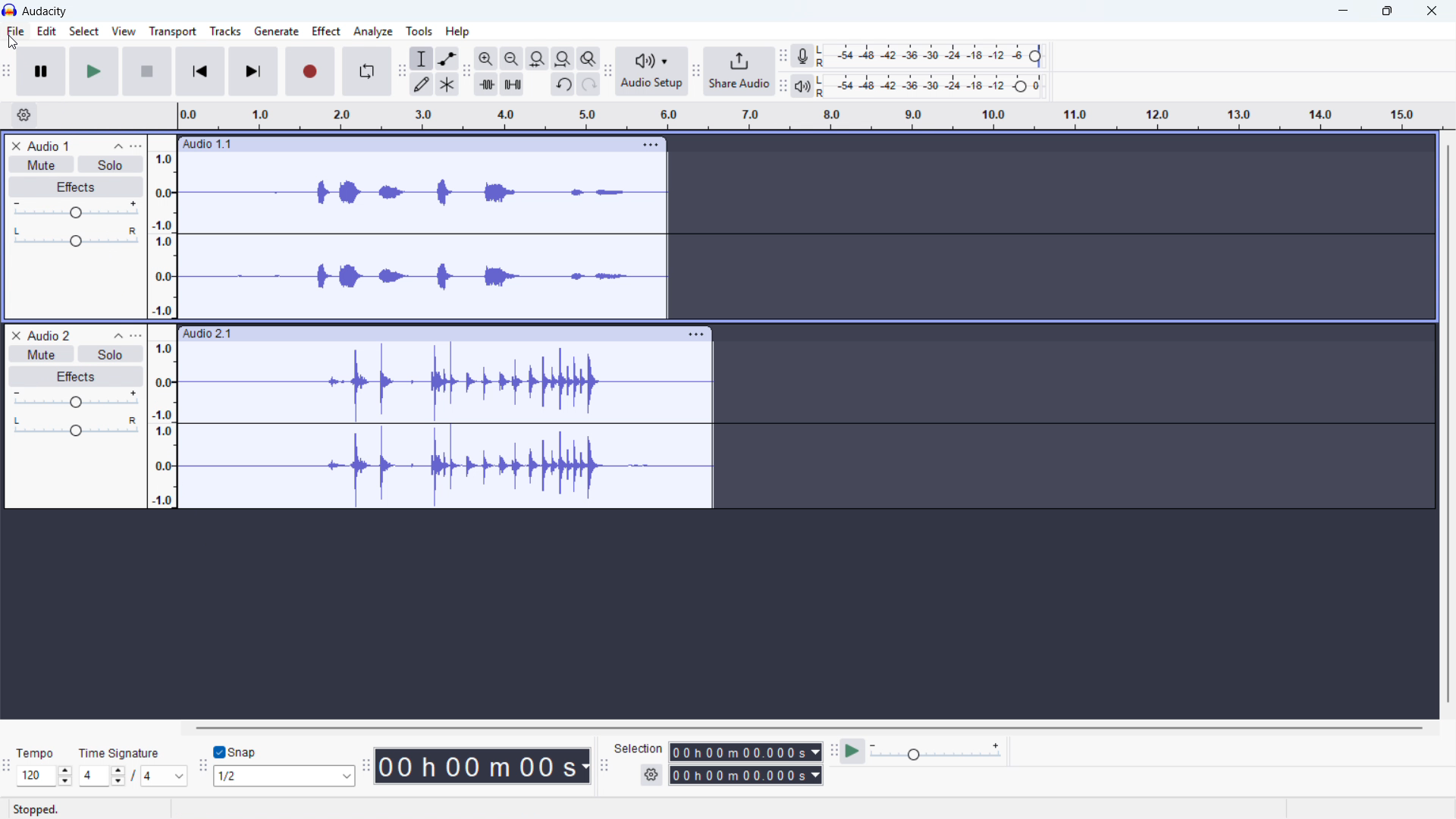 Image resolution: width=1456 pixels, height=819 pixels. Describe the element at coordinates (16, 334) in the screenshot. I see `Remove track ` at that location.